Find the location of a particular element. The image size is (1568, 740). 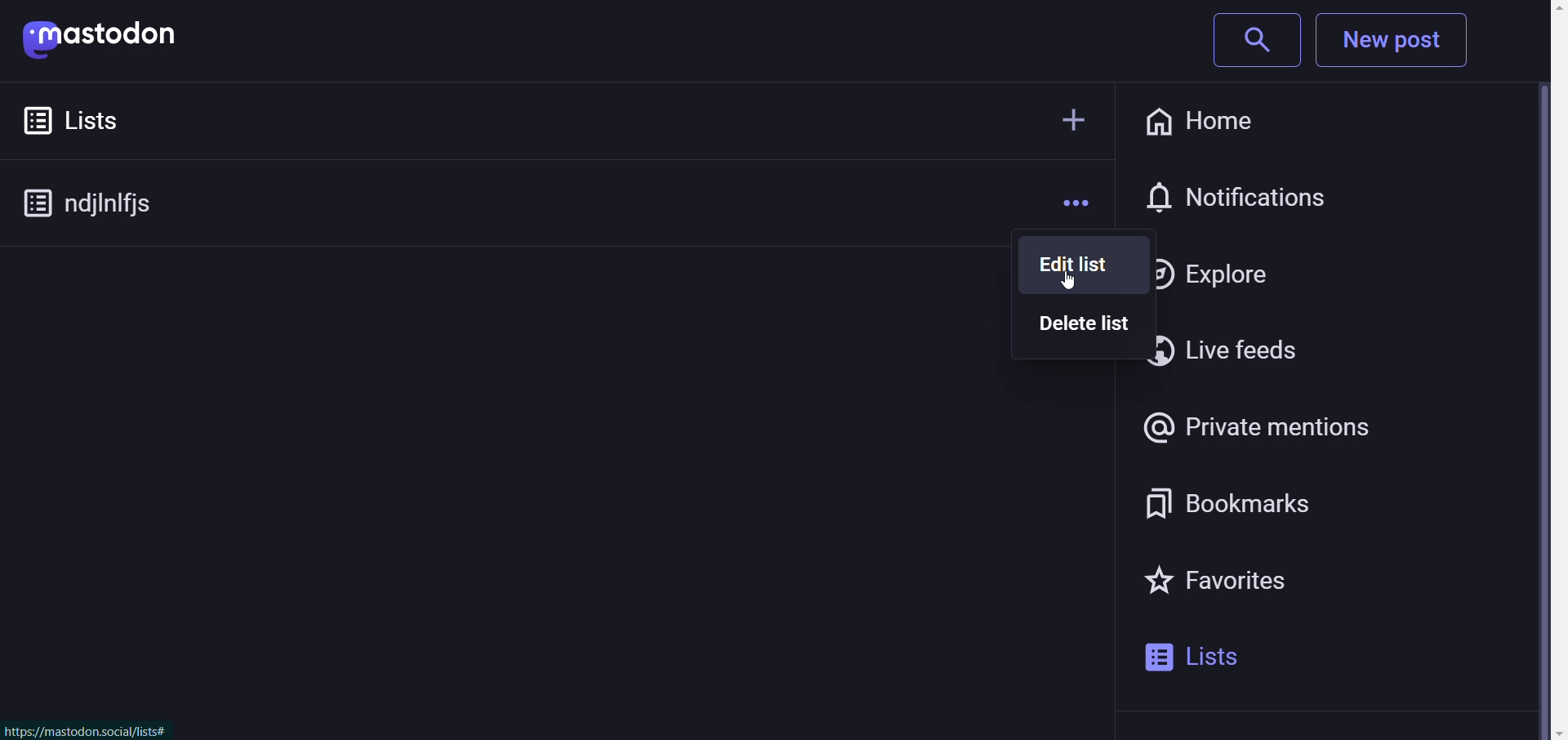

Created custom list is located at coordinates (99, 204).